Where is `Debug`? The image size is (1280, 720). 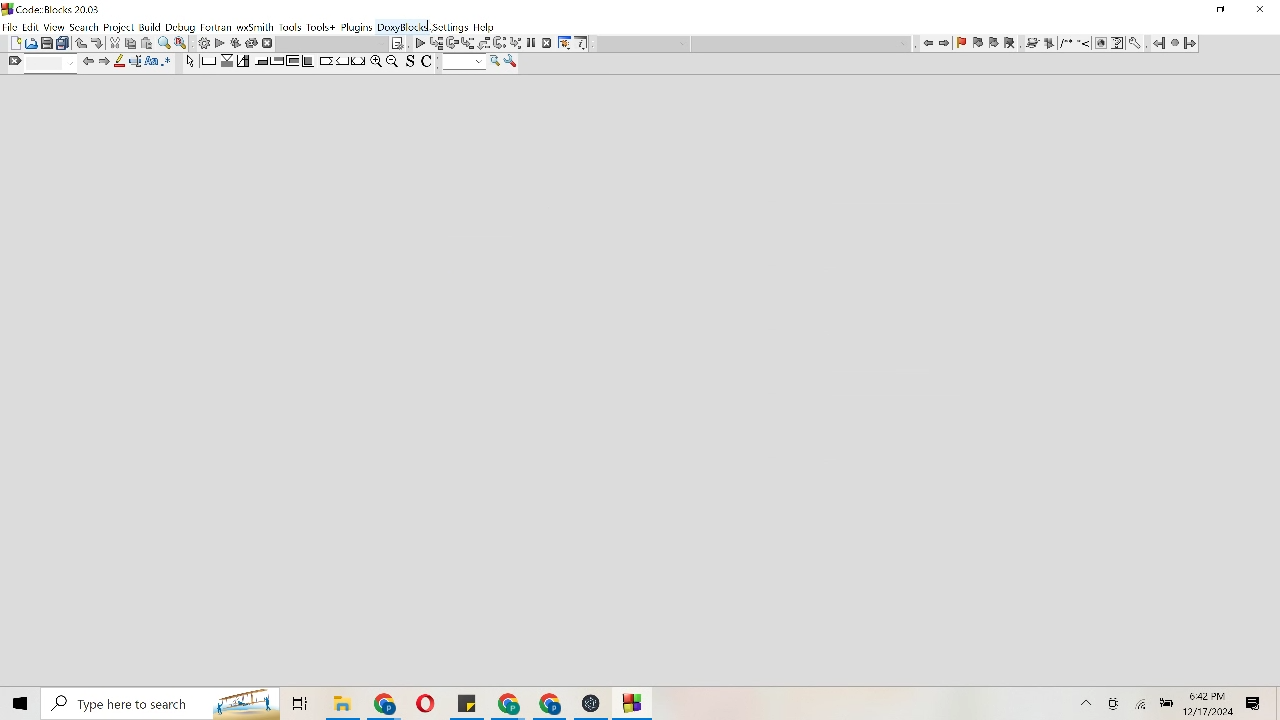 Debug is located at coordinates (180, 27).